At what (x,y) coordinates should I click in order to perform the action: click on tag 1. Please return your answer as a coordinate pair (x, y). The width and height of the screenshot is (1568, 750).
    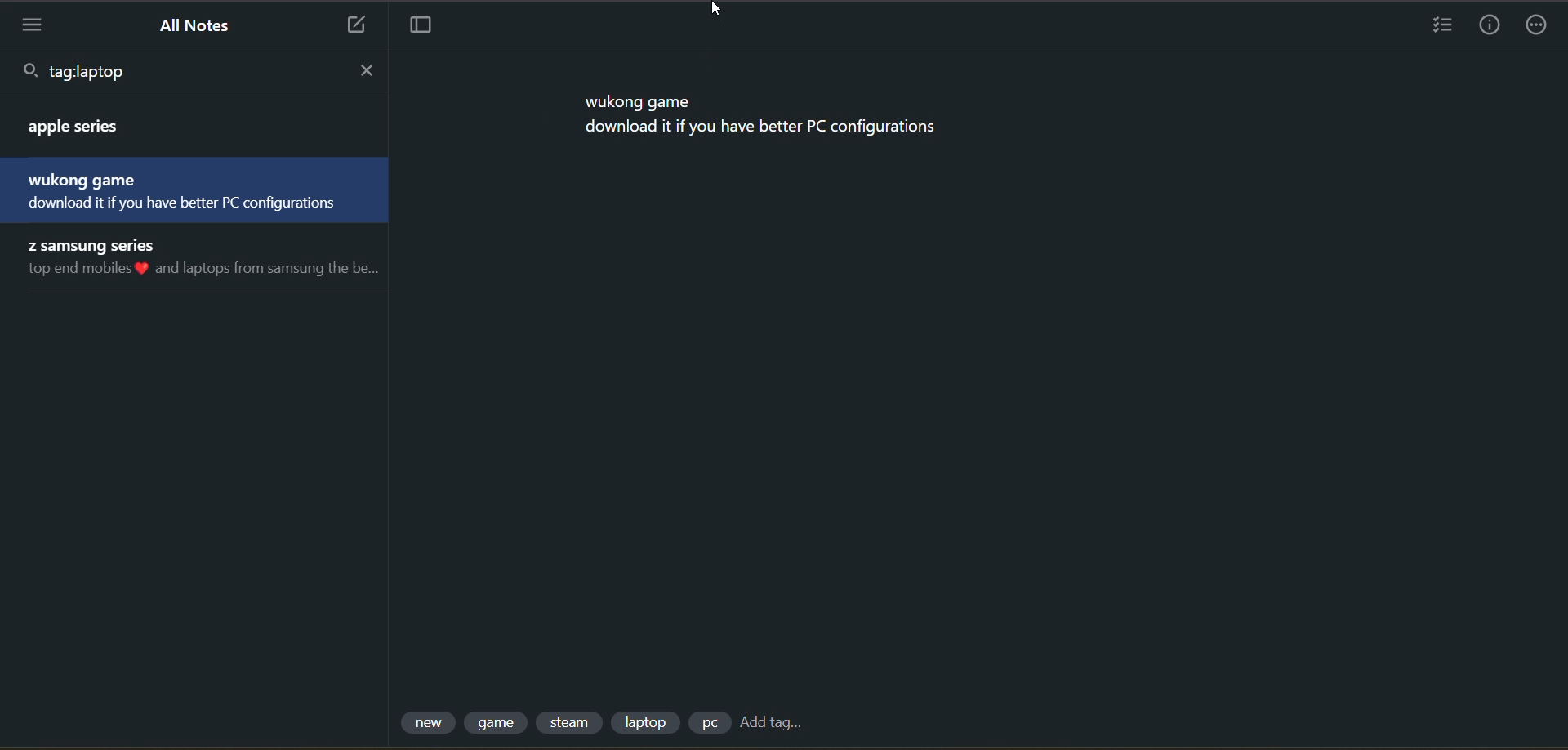
    Looking at the image, I should click on (426, 721).